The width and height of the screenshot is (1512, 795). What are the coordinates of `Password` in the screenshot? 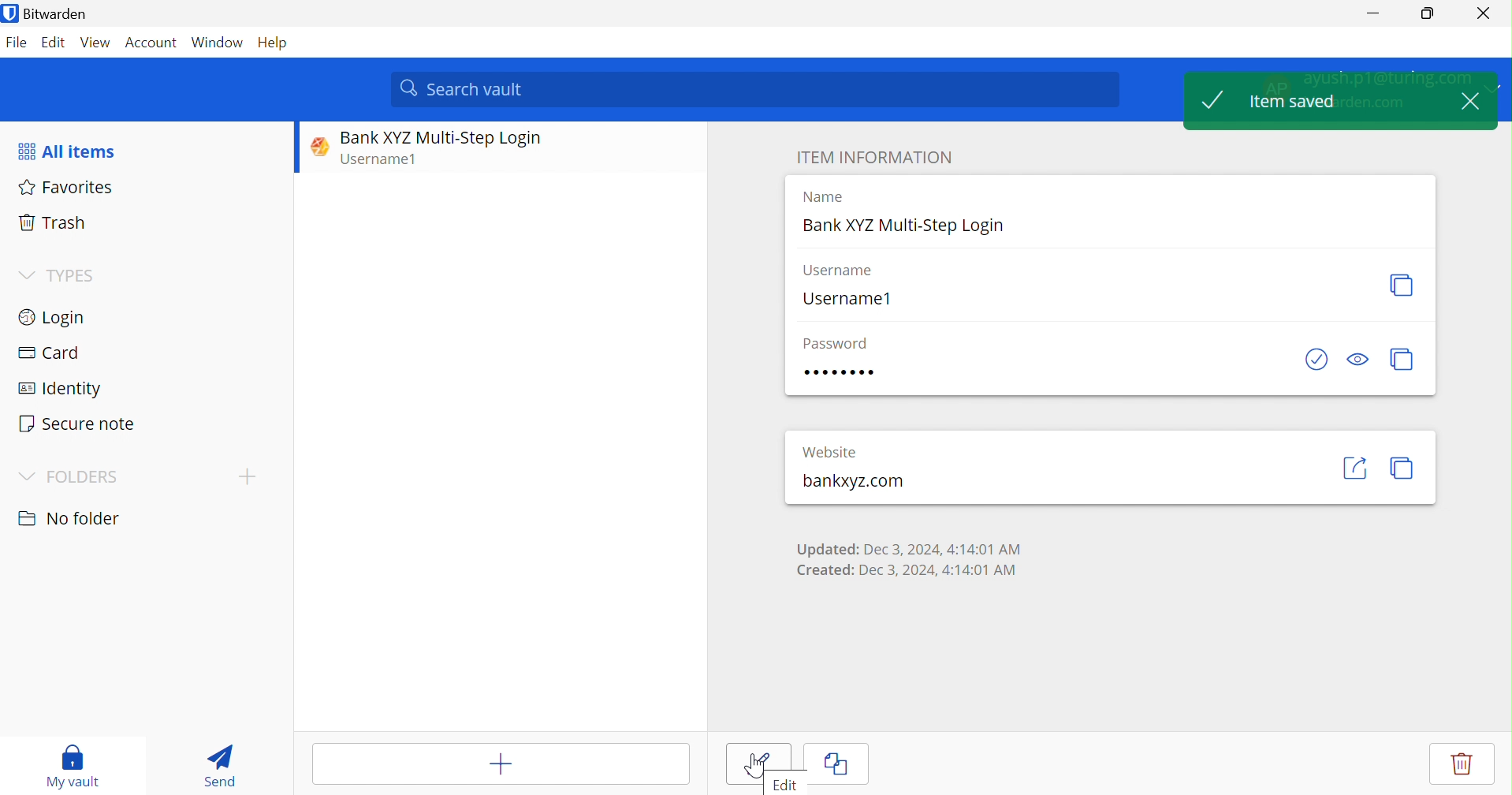 It's located at (834, 373).